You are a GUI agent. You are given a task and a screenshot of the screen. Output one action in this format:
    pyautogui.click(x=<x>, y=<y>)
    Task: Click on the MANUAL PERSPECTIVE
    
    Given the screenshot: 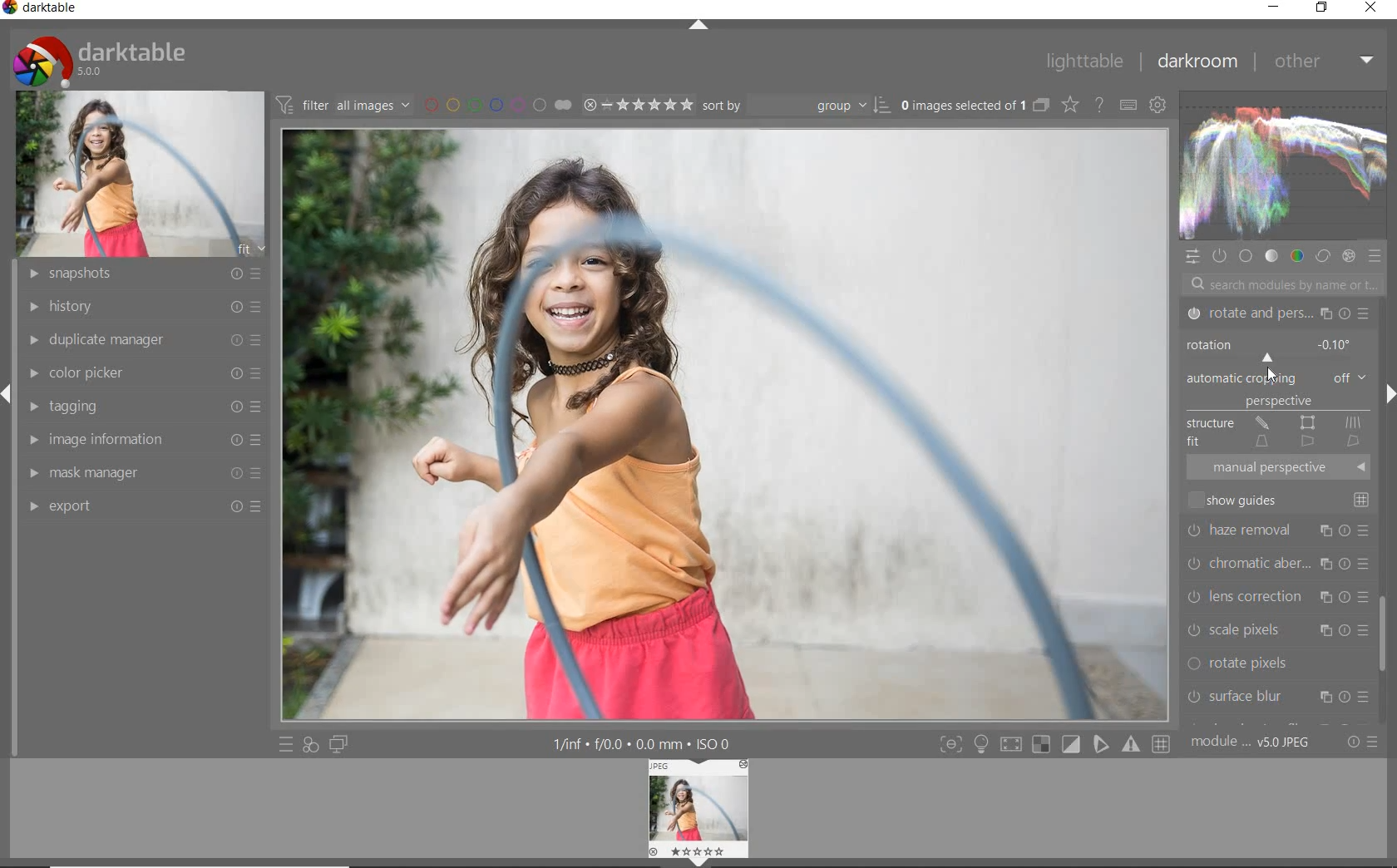 What is the action you would take?
    pyautogui.click(x=1281, y=466)
    